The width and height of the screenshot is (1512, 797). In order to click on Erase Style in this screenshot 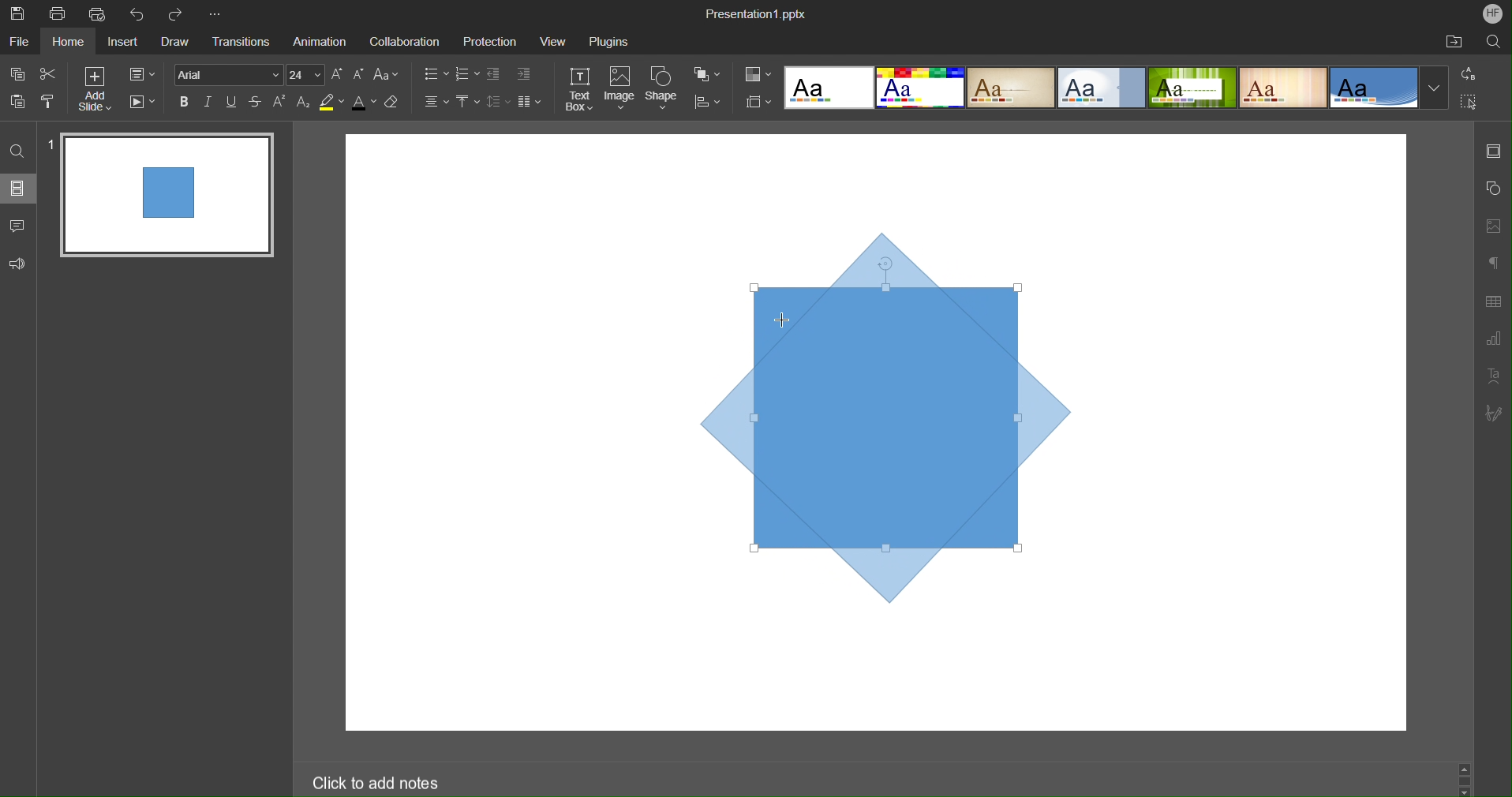, I will do `click(394, 103)`.